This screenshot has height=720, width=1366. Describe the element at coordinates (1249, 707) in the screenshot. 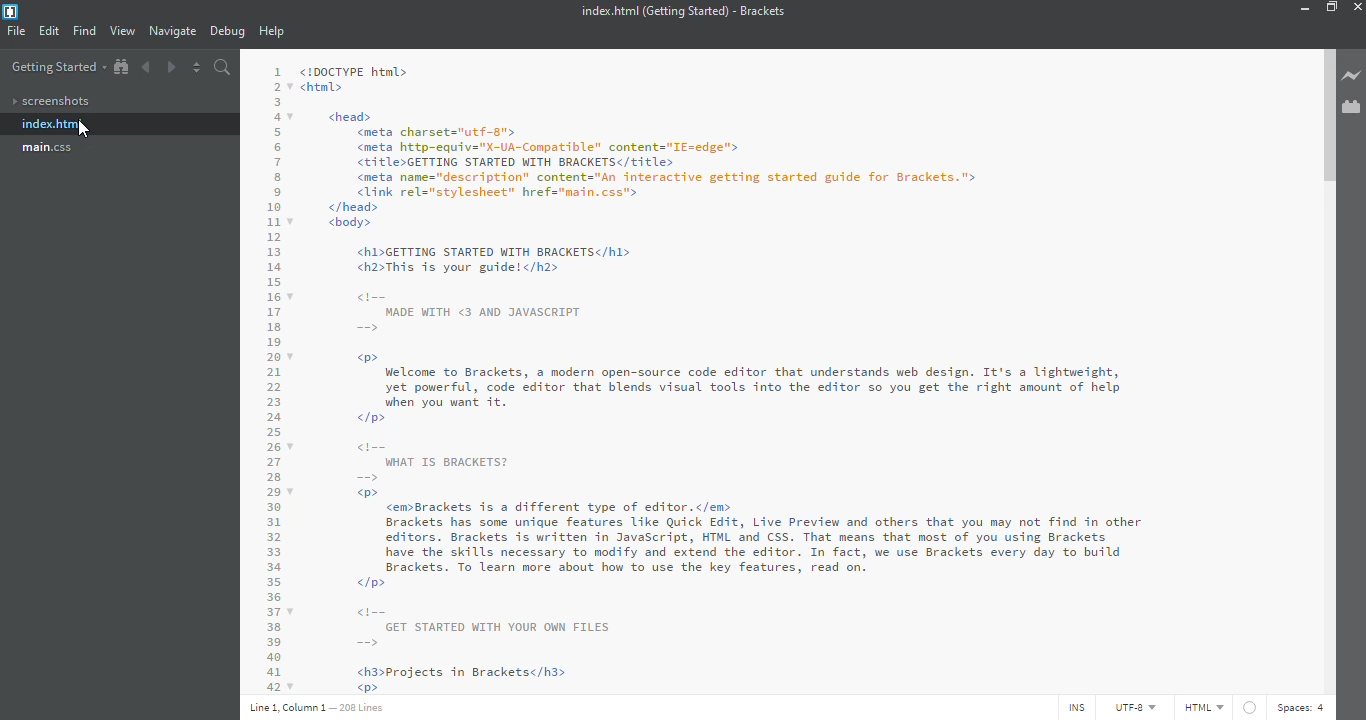

I see `linter` at that location.